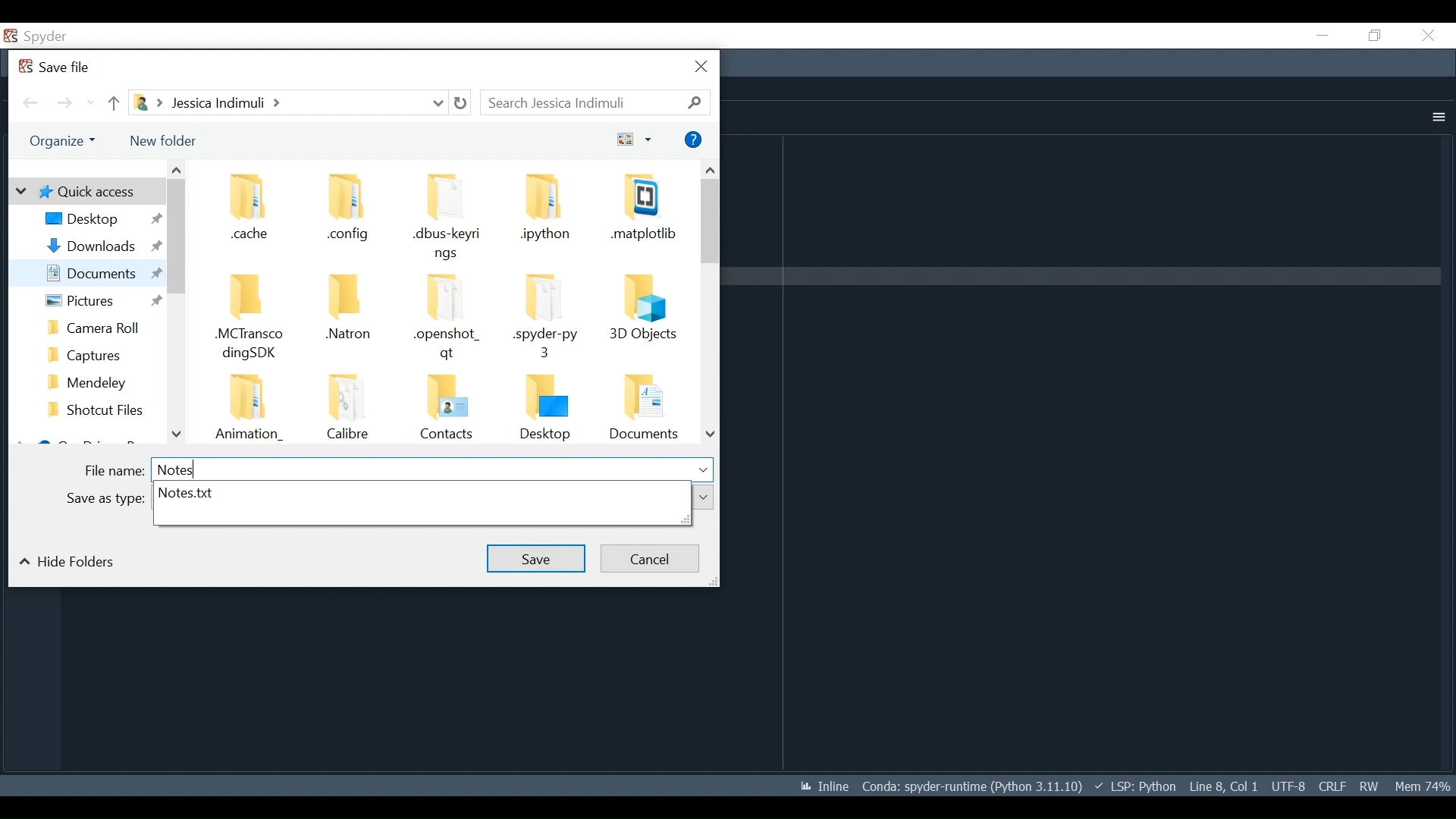 This screenshot has height=819, width=1456. I want to click on Folder, so click(96, 326).